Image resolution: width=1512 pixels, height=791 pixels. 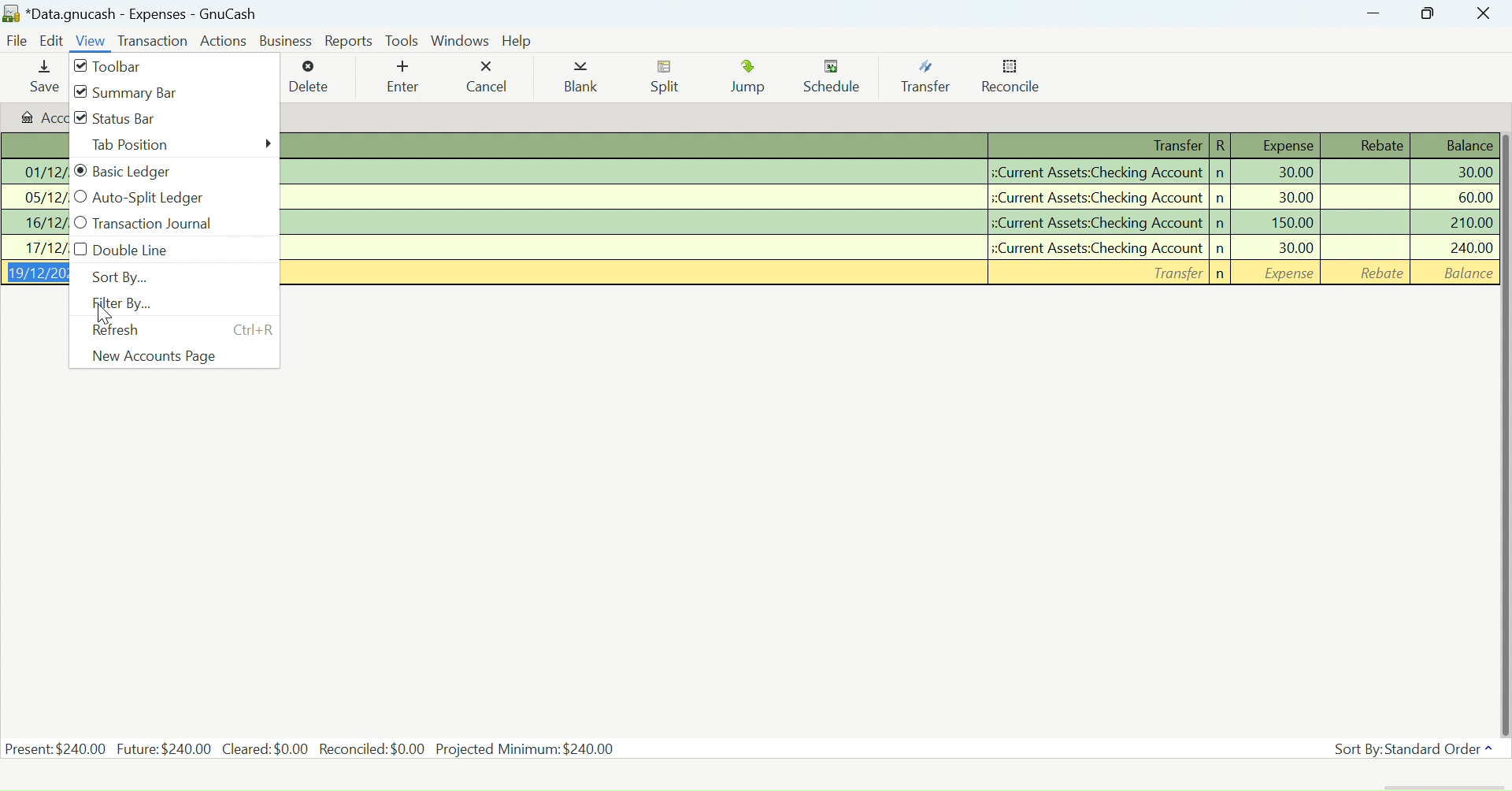 What do you see at coordinates (148, 93) in the screenshot?
I see `Summary Bar` at bounding box center [148, 93].